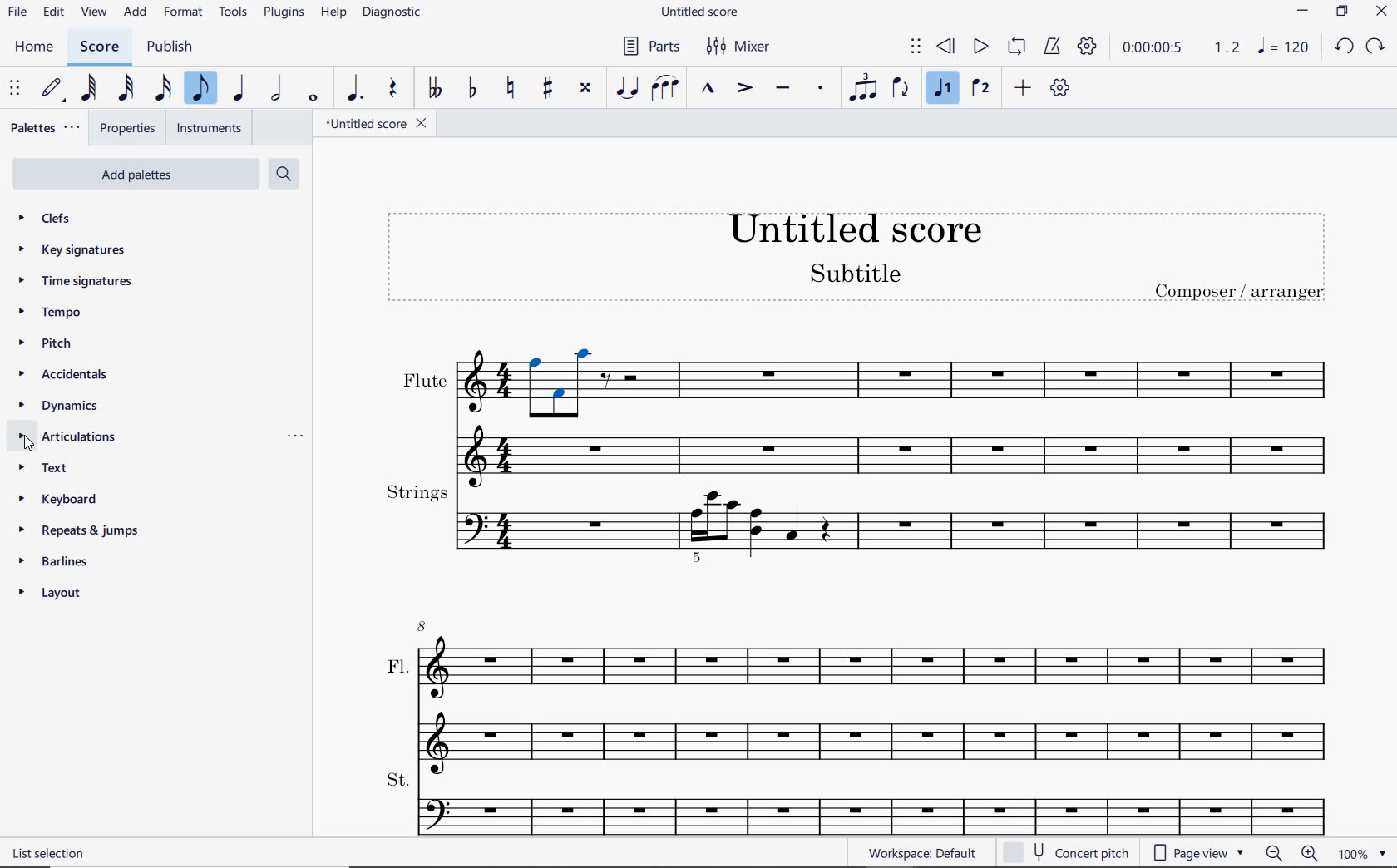  What do you see at coordinates (511, 89) in the screenshot?
I see `TOGGLE NATURAL` at bounding box center [511, 89].